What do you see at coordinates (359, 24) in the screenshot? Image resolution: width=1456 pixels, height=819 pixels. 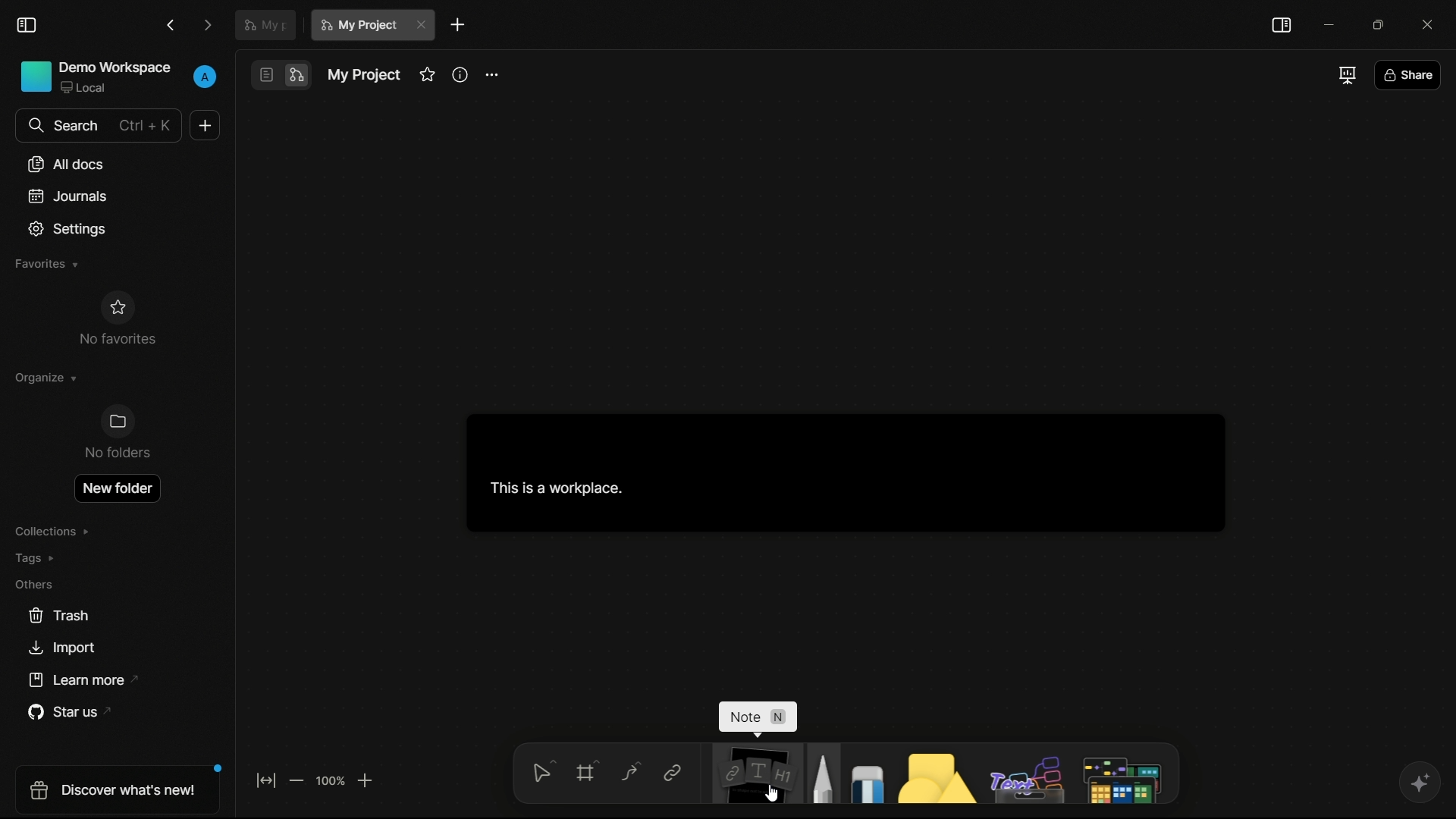 I see `current document name` at bounding box center [359, 24].